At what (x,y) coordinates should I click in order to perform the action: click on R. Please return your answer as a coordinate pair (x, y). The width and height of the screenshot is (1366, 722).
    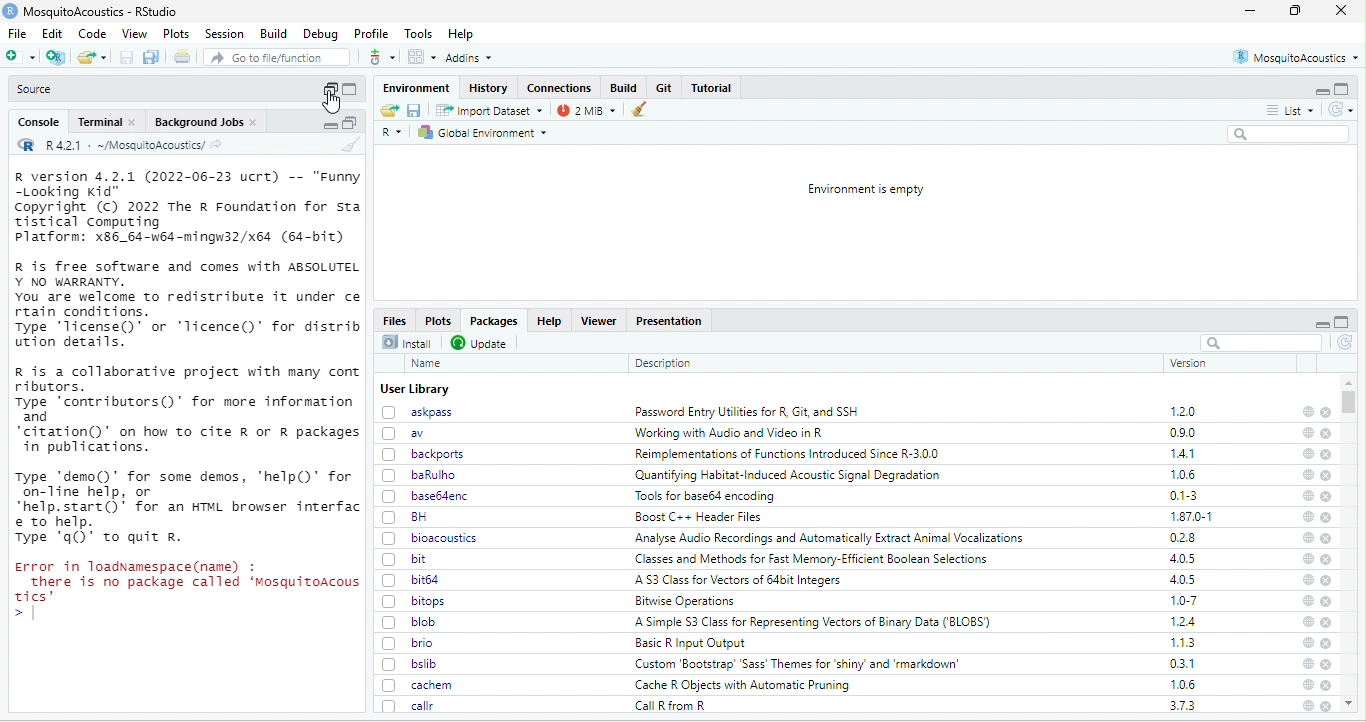
    Looking at the image, I should click on (392, 133).